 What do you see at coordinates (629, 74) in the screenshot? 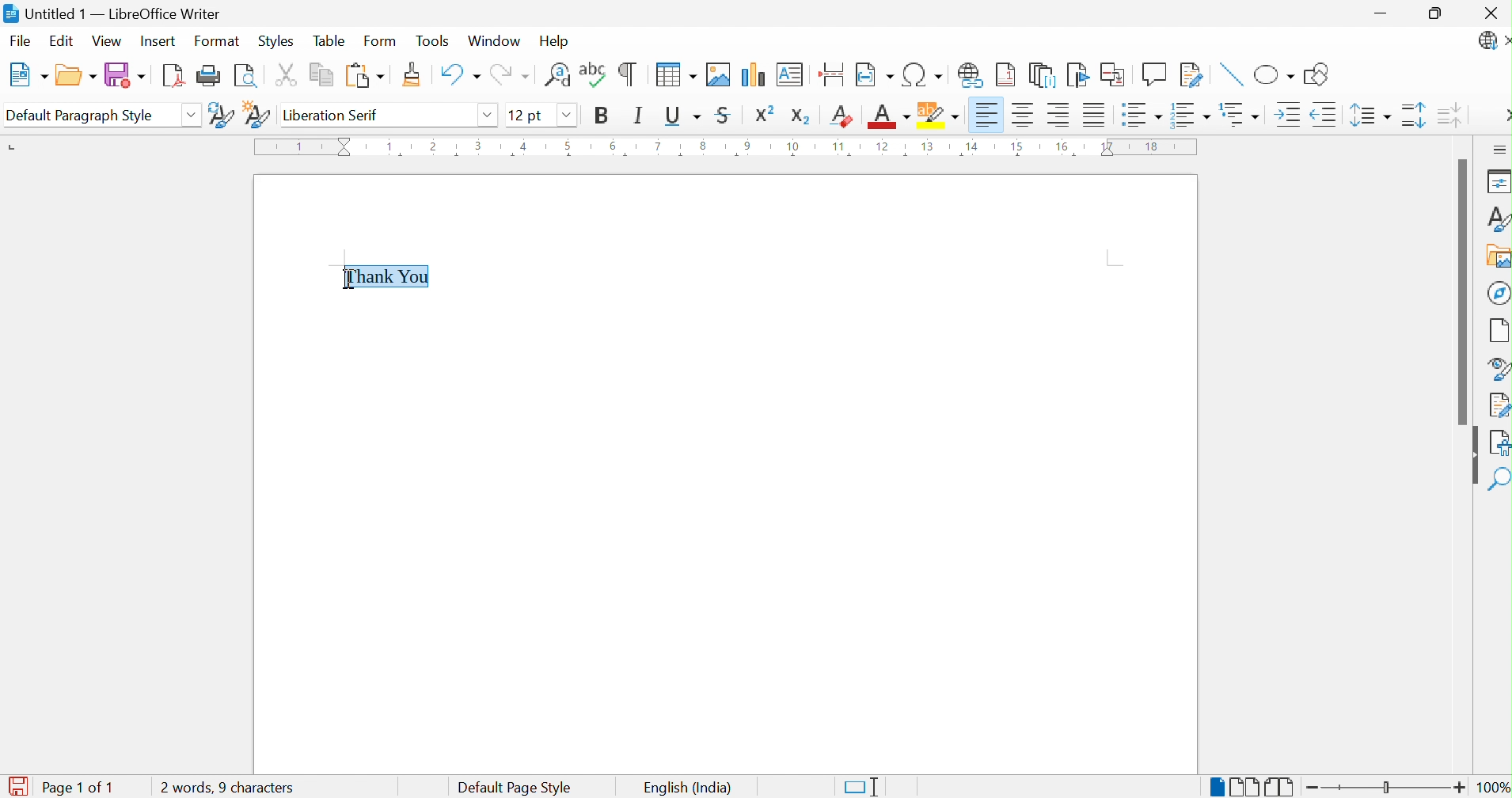
I see `Toggle Formatting Marks` at bounding box center [629, 74].